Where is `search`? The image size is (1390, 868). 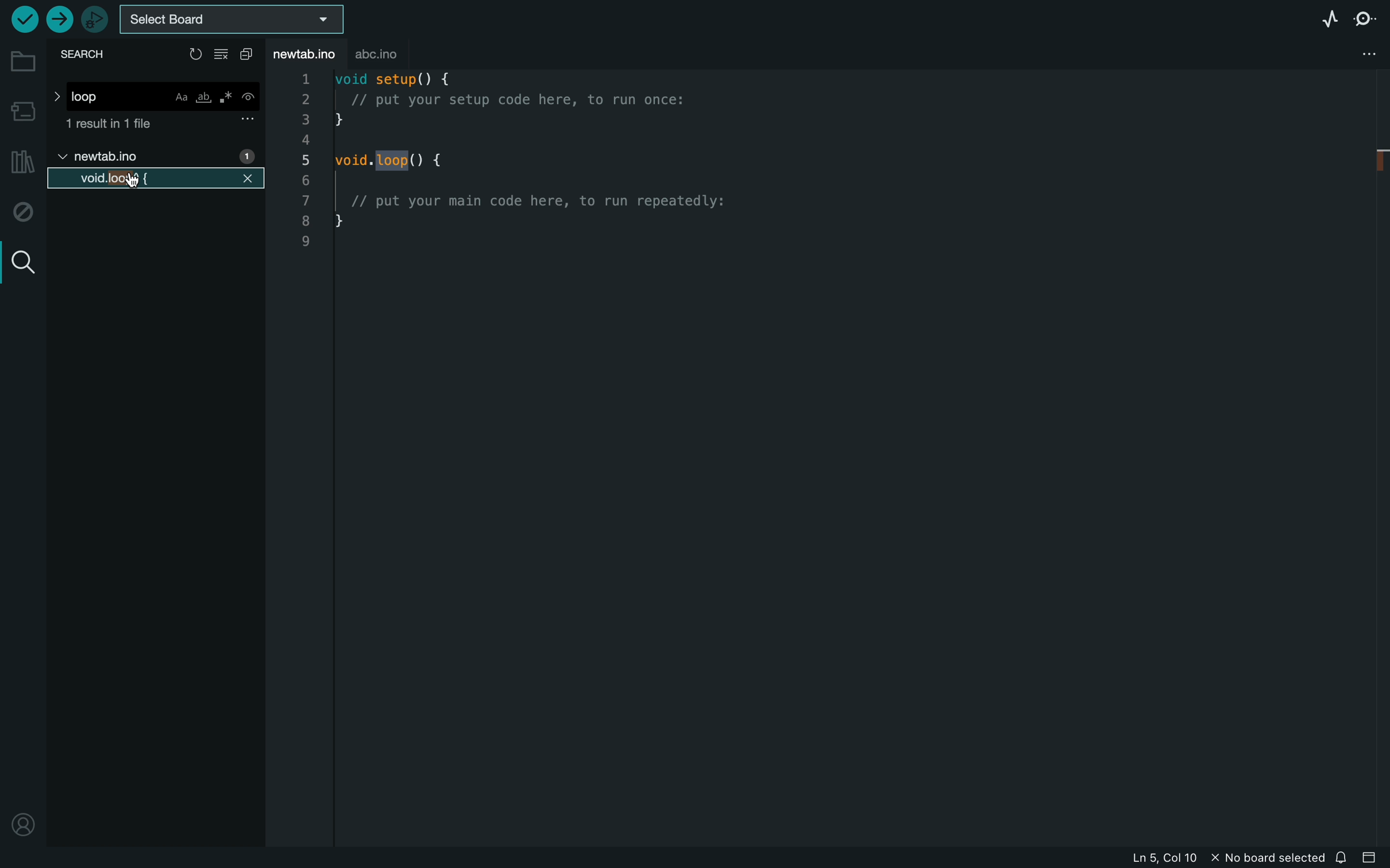
search is located at coordinates (20, 260).